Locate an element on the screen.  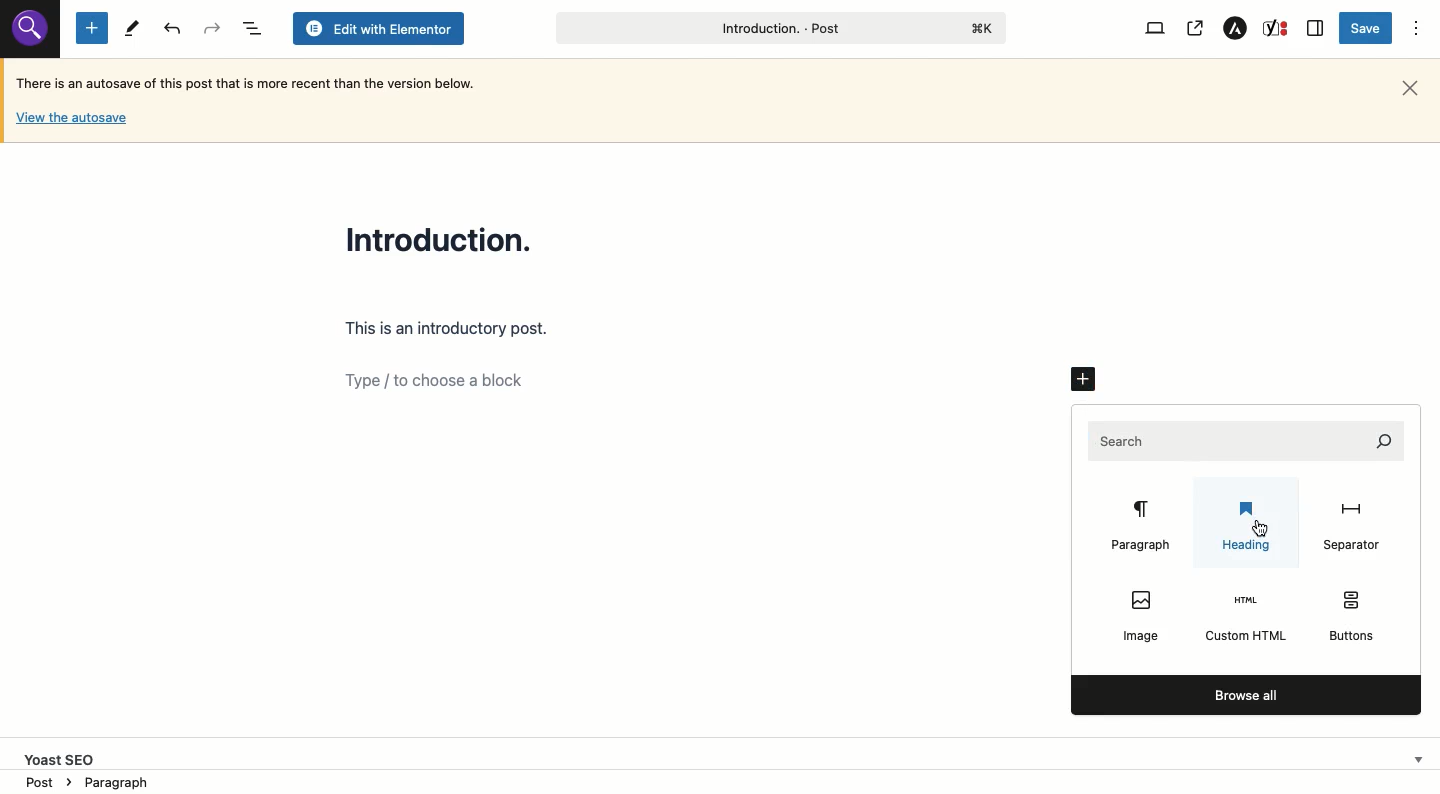
Sidebar is located at coordinates (1316, 28).